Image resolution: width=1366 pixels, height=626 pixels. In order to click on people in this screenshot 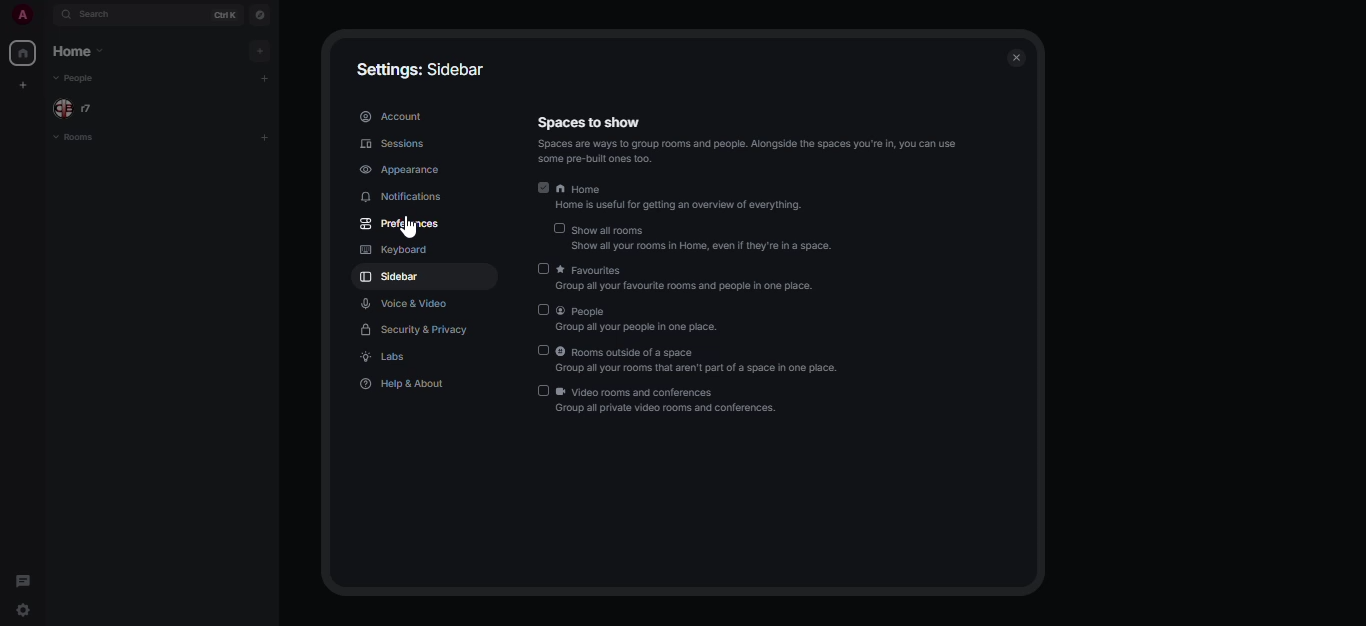, I will do `click(74, 107)`.